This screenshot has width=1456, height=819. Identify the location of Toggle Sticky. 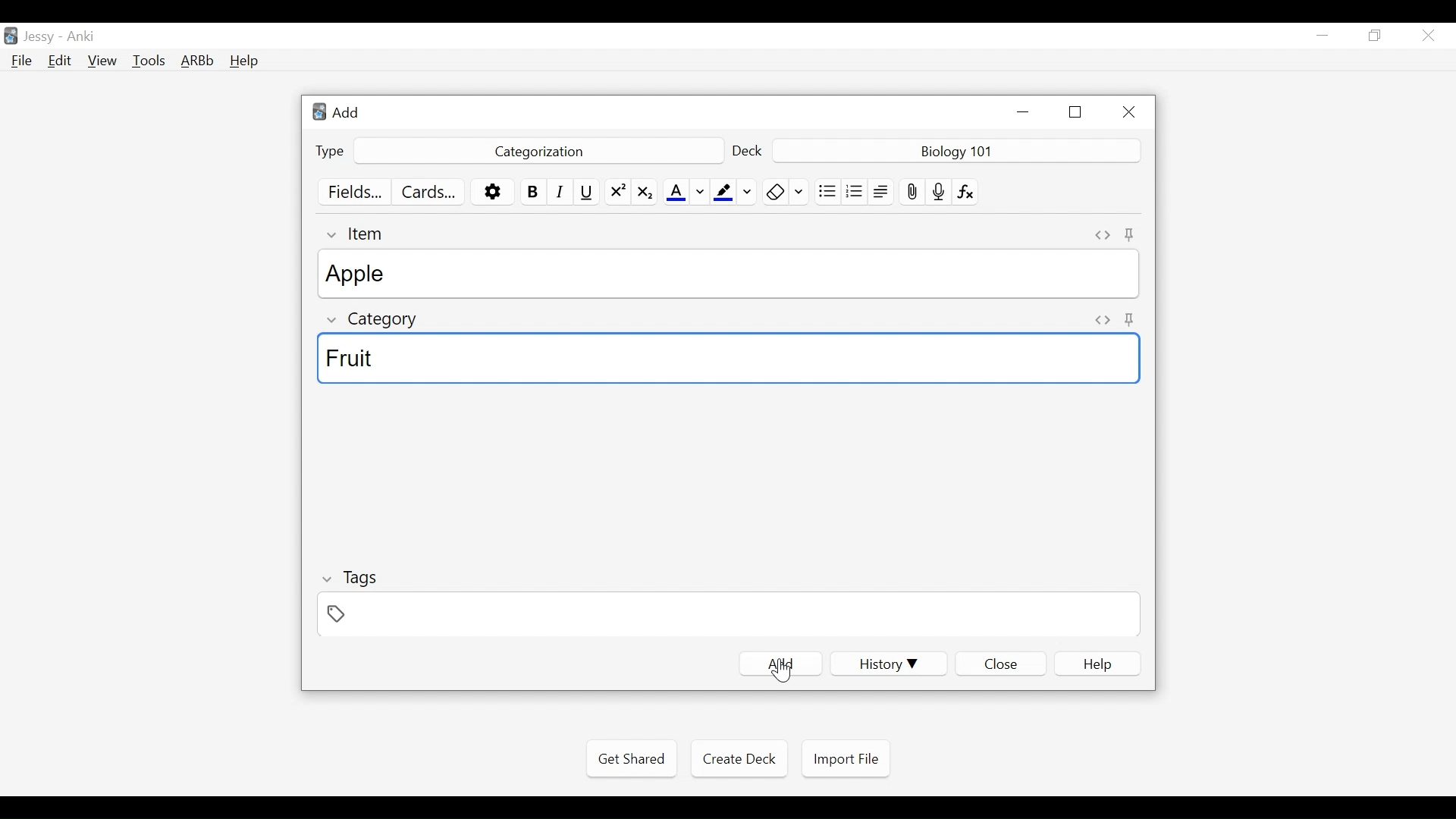
(1131, 236).